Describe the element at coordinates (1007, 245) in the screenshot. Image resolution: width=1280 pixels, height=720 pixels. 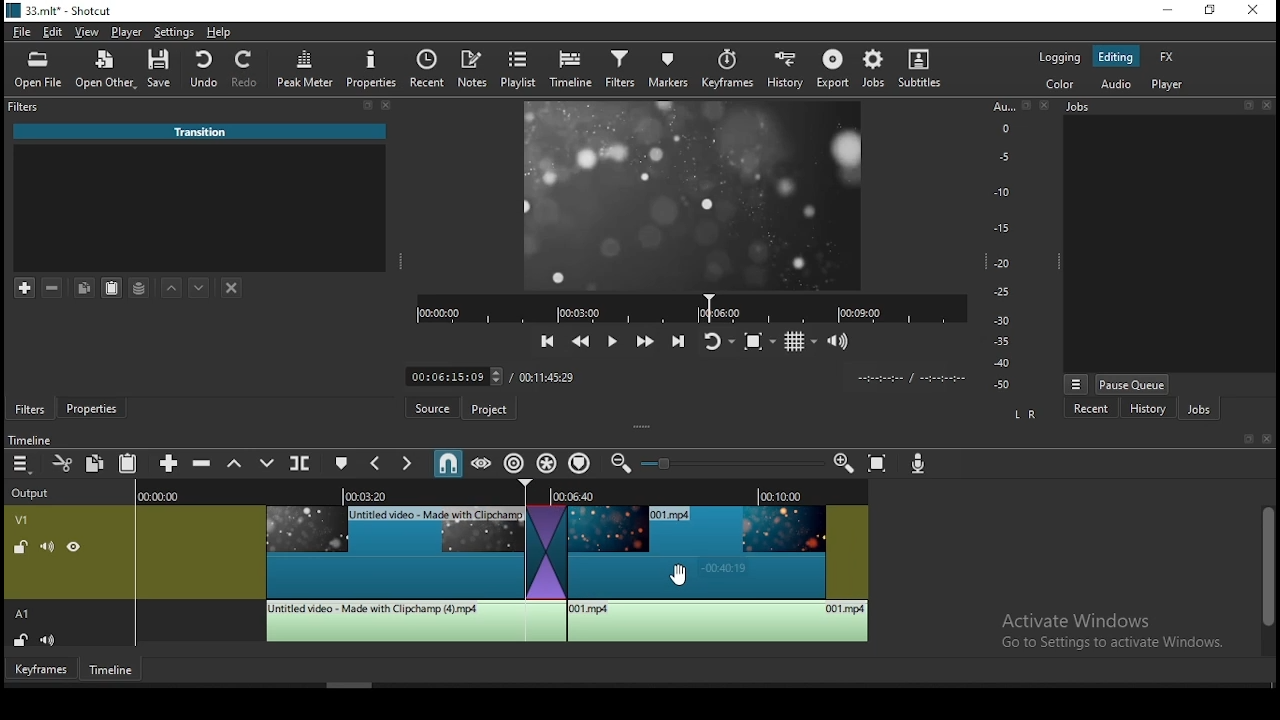
I see `scale` at that location.